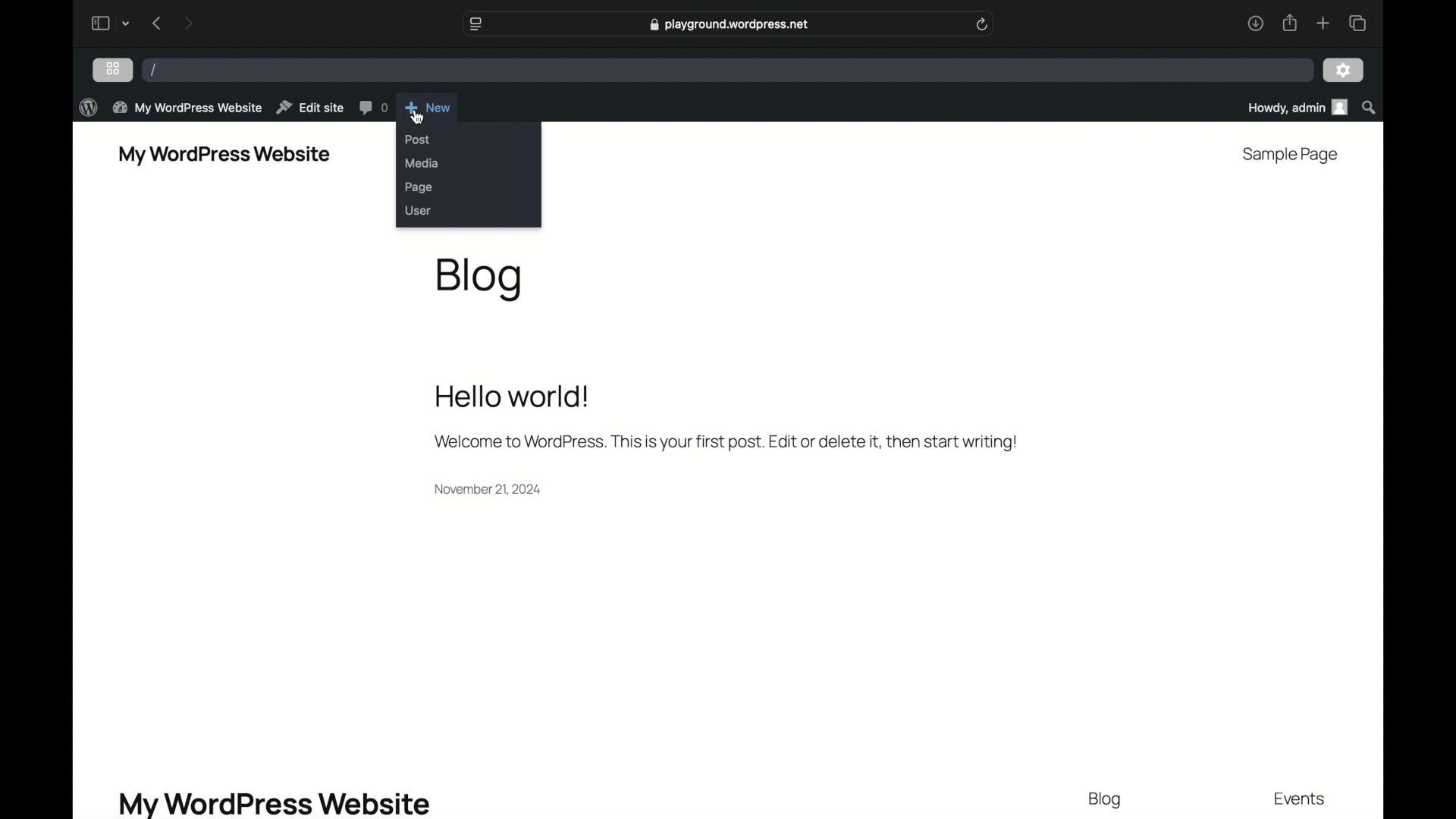  I want to click on welcome message, so click(726, 419).